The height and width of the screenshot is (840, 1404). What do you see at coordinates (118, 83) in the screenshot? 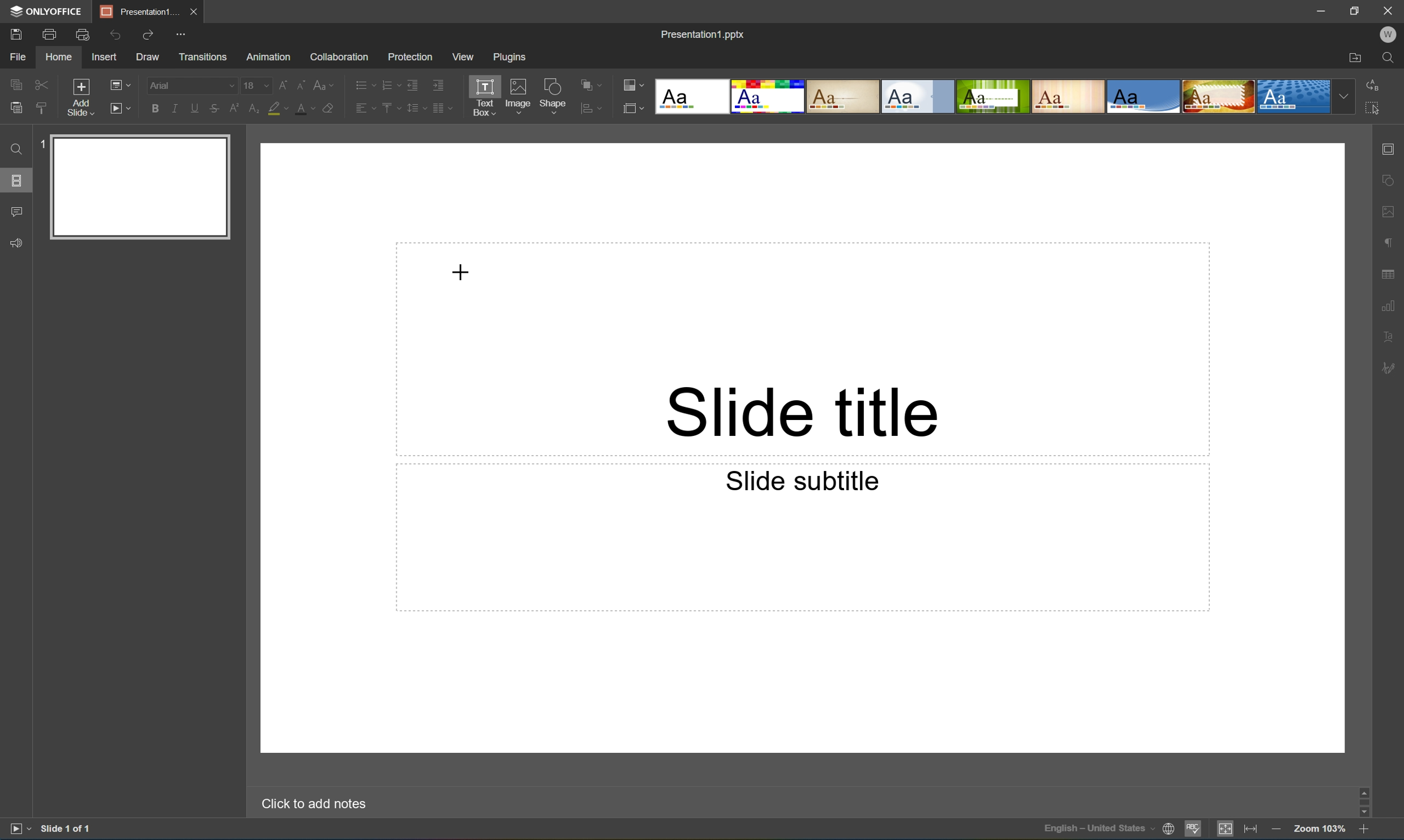
I see `Change slide layout` at bounding box center [118, 83].